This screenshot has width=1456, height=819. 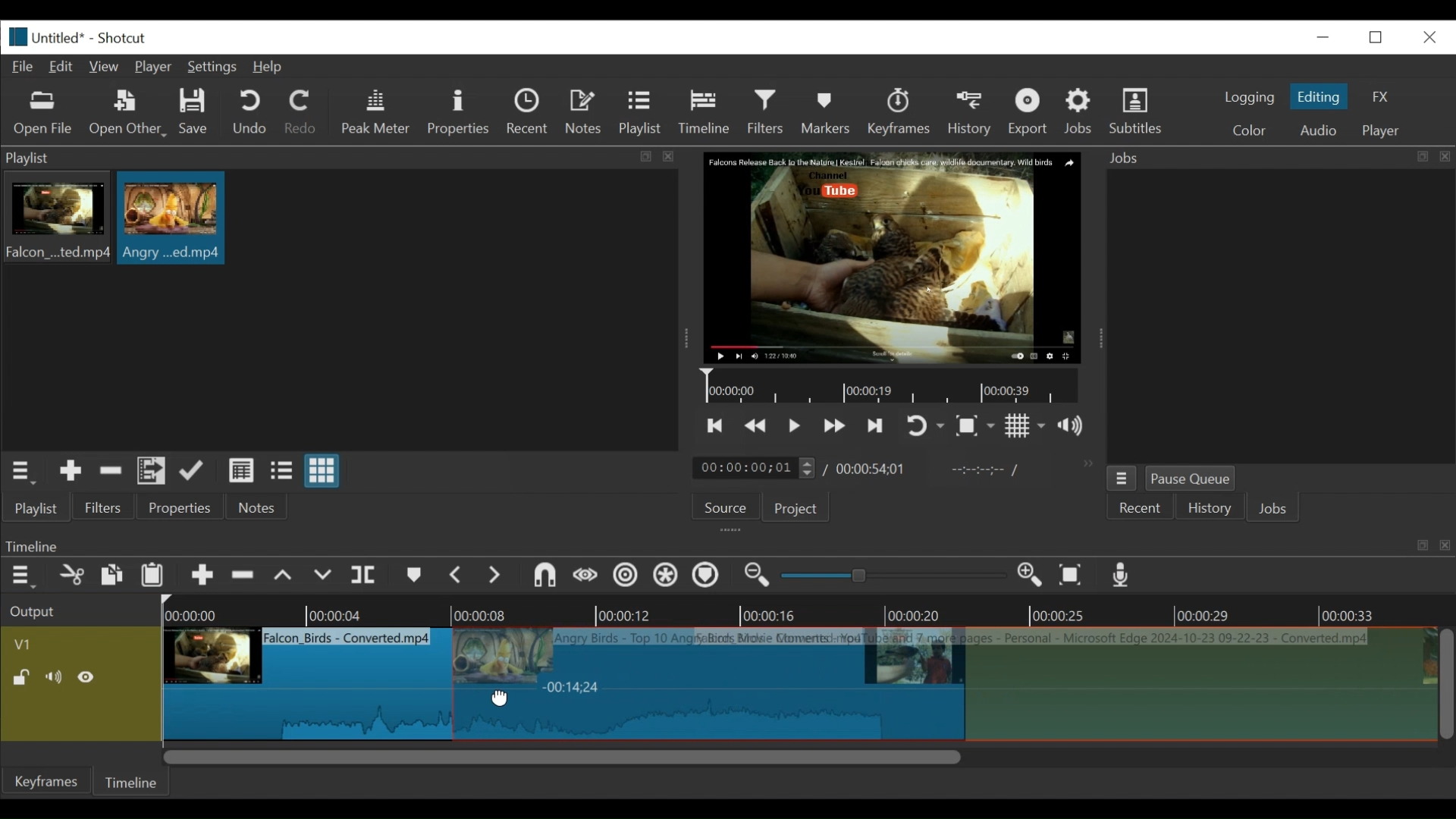 I want to click on current duration, so click(x=756, y=469).